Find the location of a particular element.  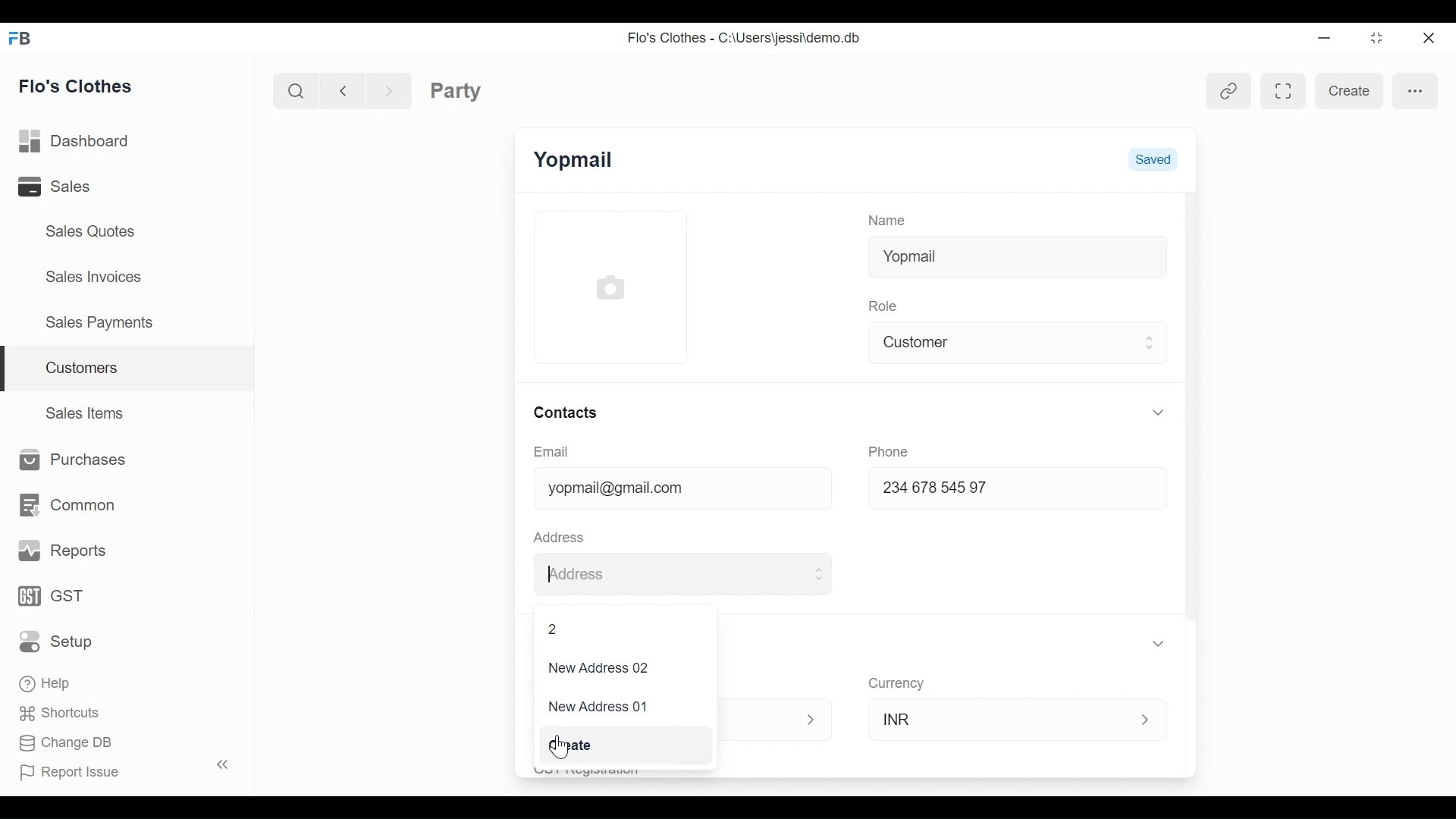

Flo's Clothes is located at coordinates (78, 86).